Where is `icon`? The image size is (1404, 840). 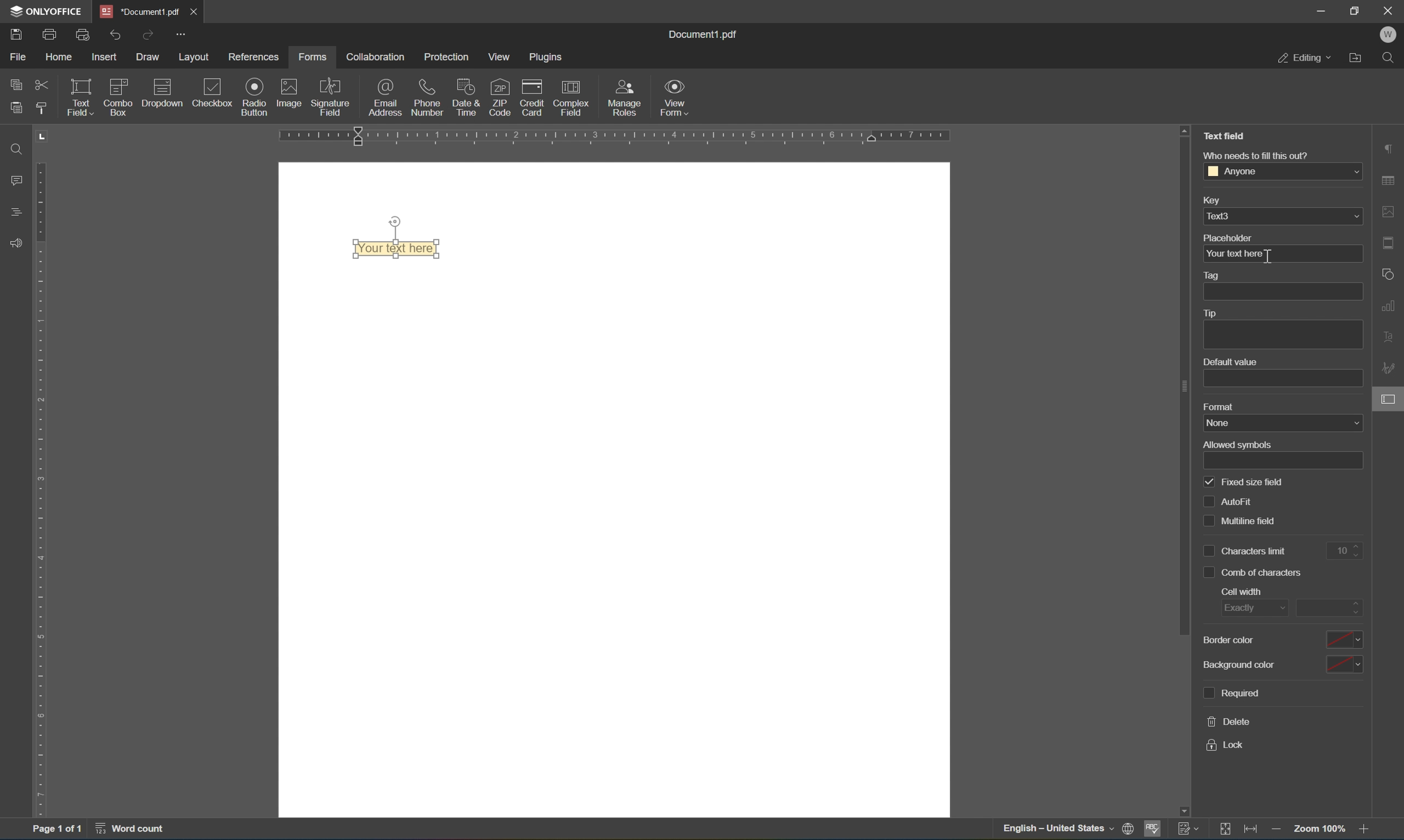
icon is located at coordinates (167, 87).